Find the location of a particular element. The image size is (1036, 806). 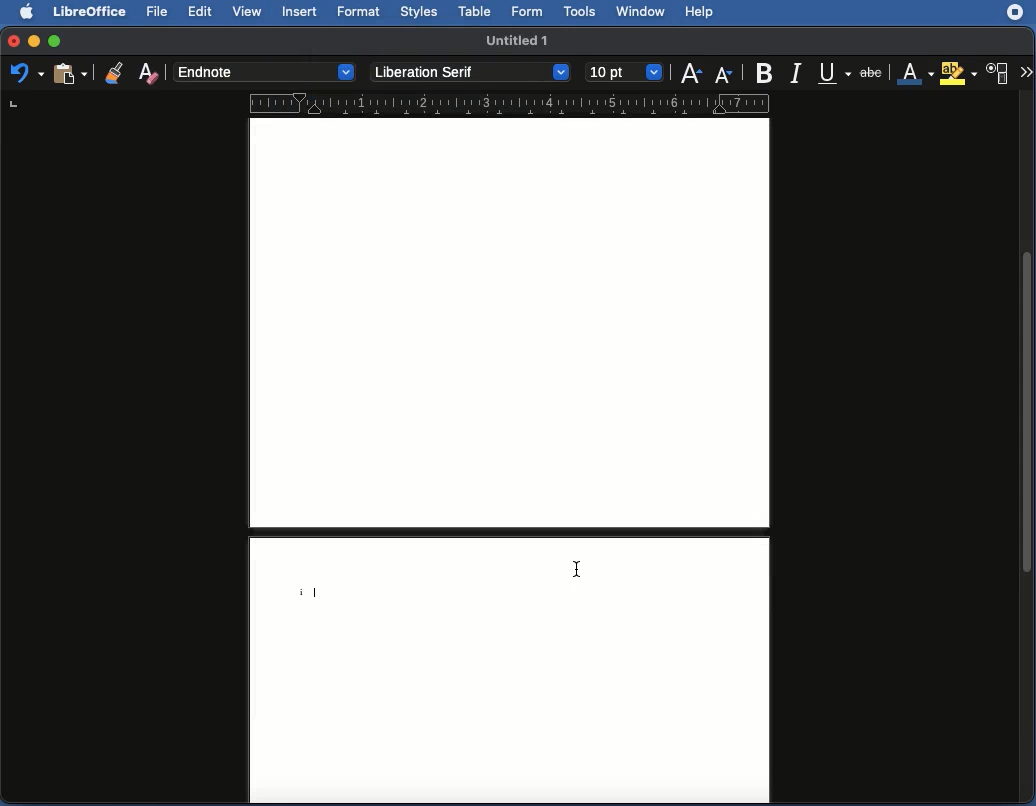

Undo is located at coordinates (28, 73).